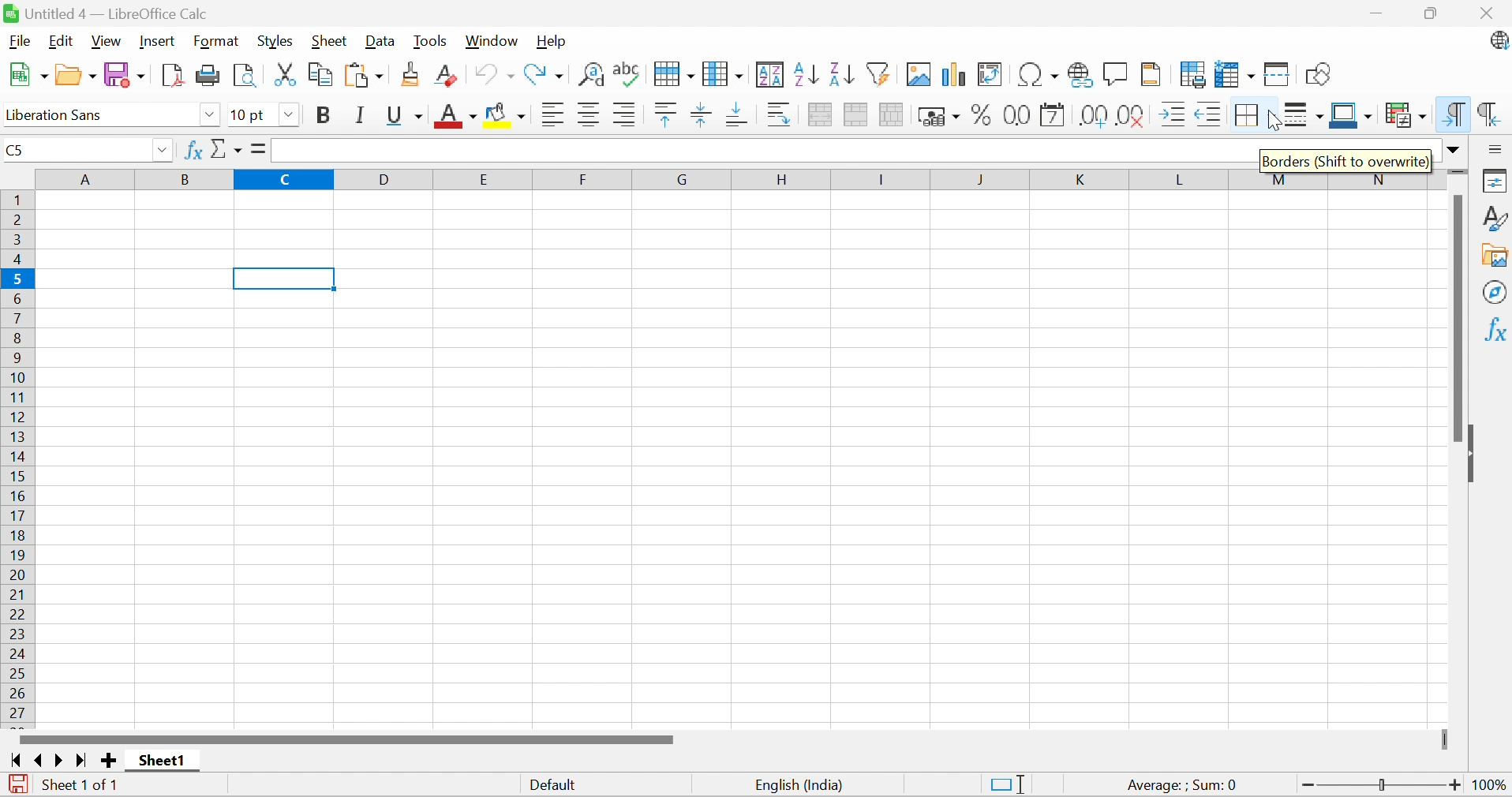 The image size is (1512, 797). What do you see at coordinates (1452, 114) in the screenshot?
I see `Left-to-right` at bounding box center [1452, 114].